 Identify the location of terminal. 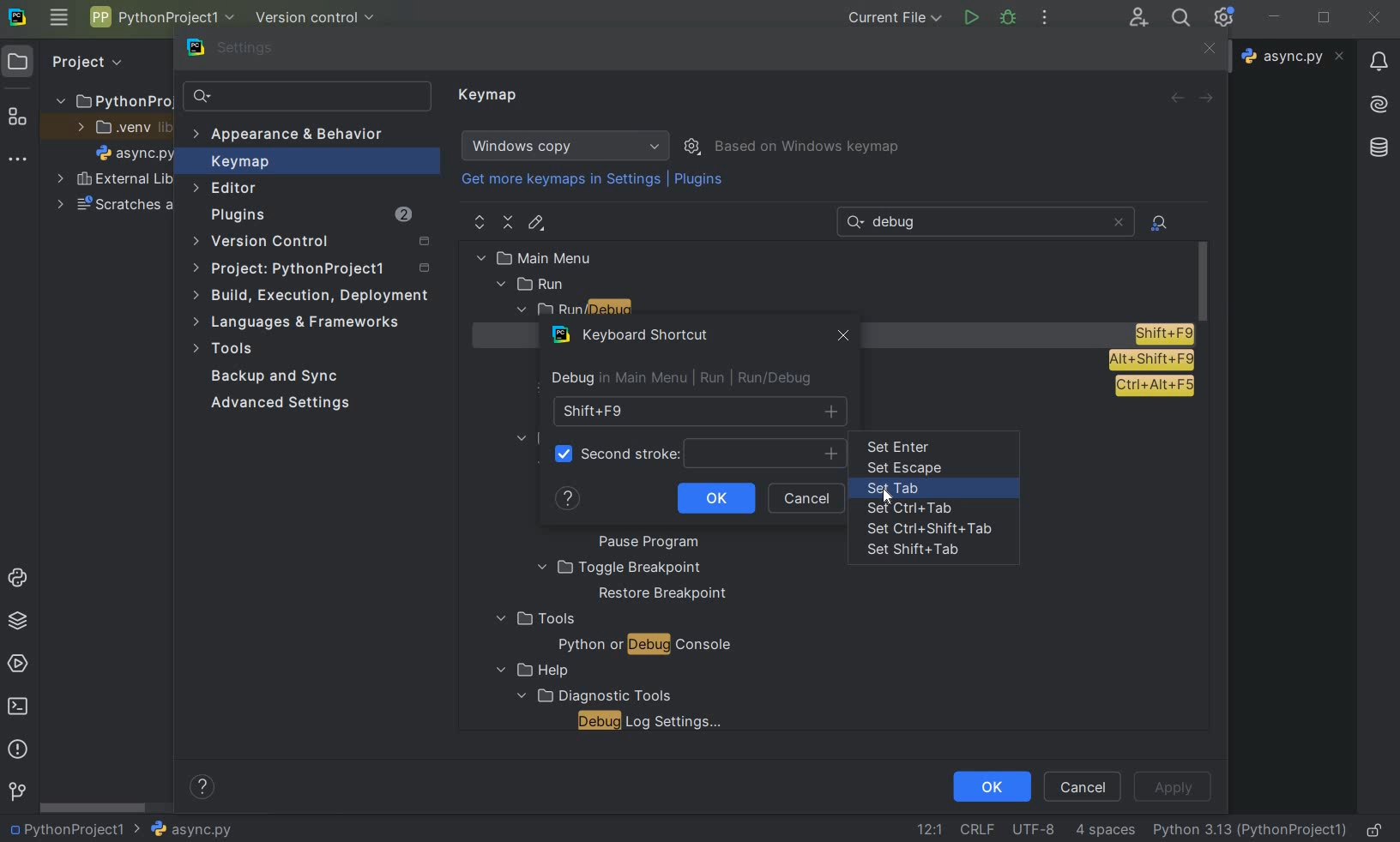
(20, 706).